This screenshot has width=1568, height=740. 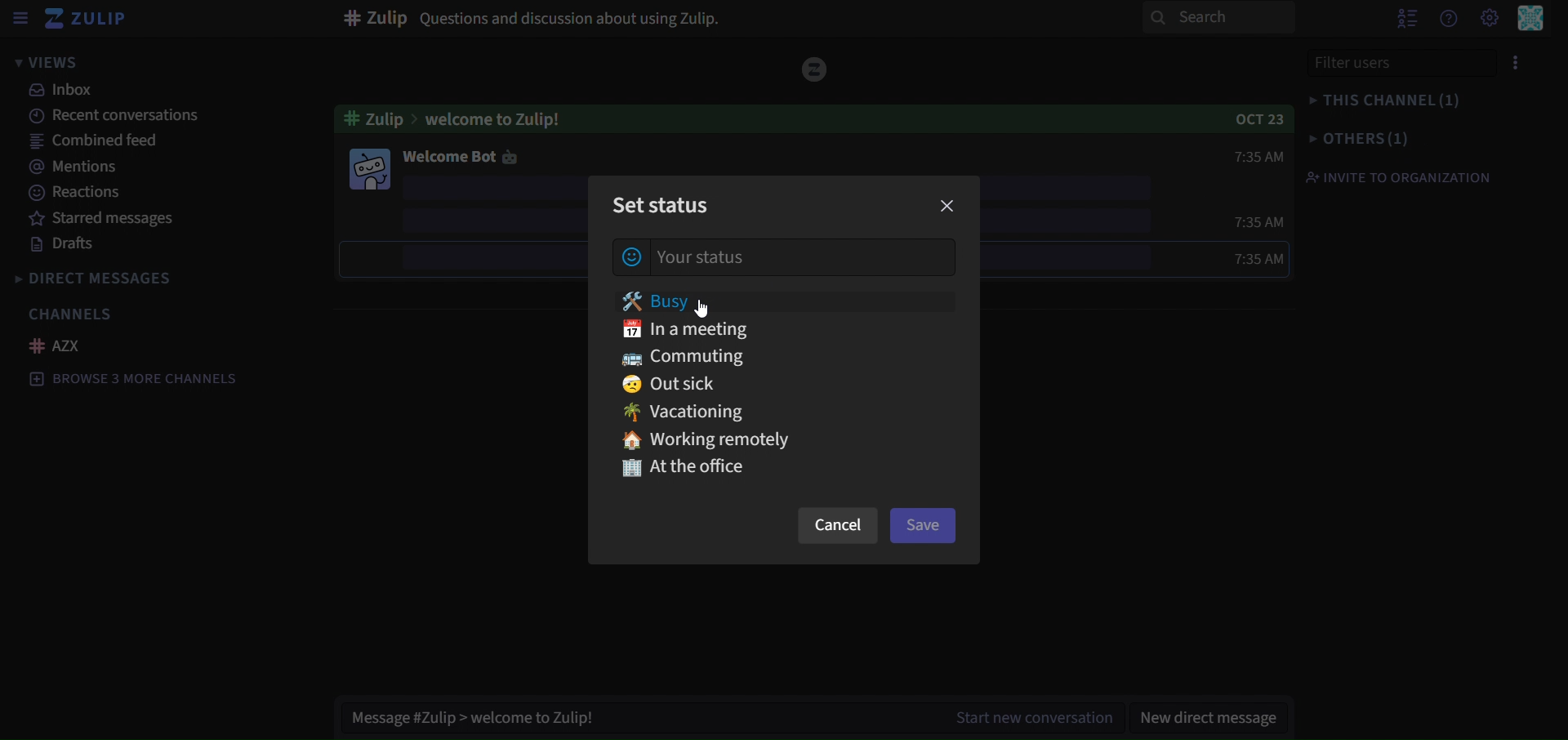 What do you see at coordinates (814, 68) in the screenshot?
I see `icon` at bounding box center [814, 68].